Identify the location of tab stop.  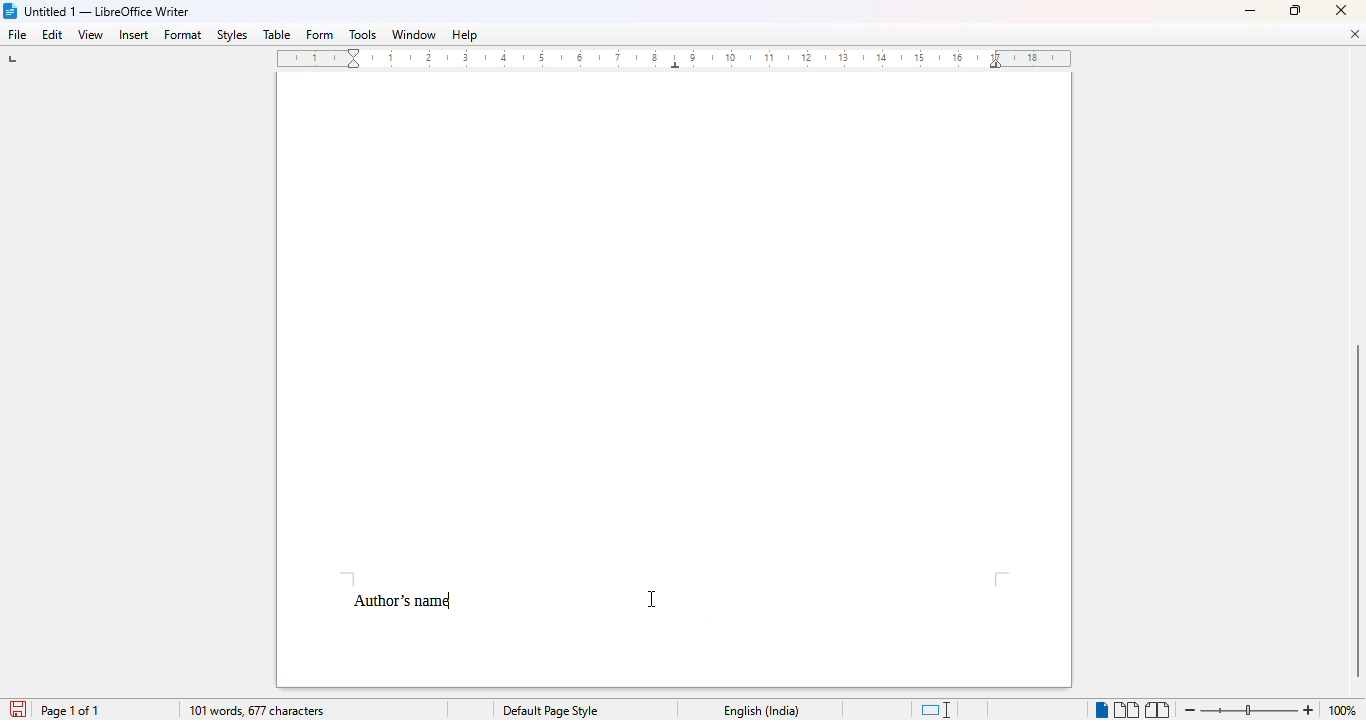
(15, 61).